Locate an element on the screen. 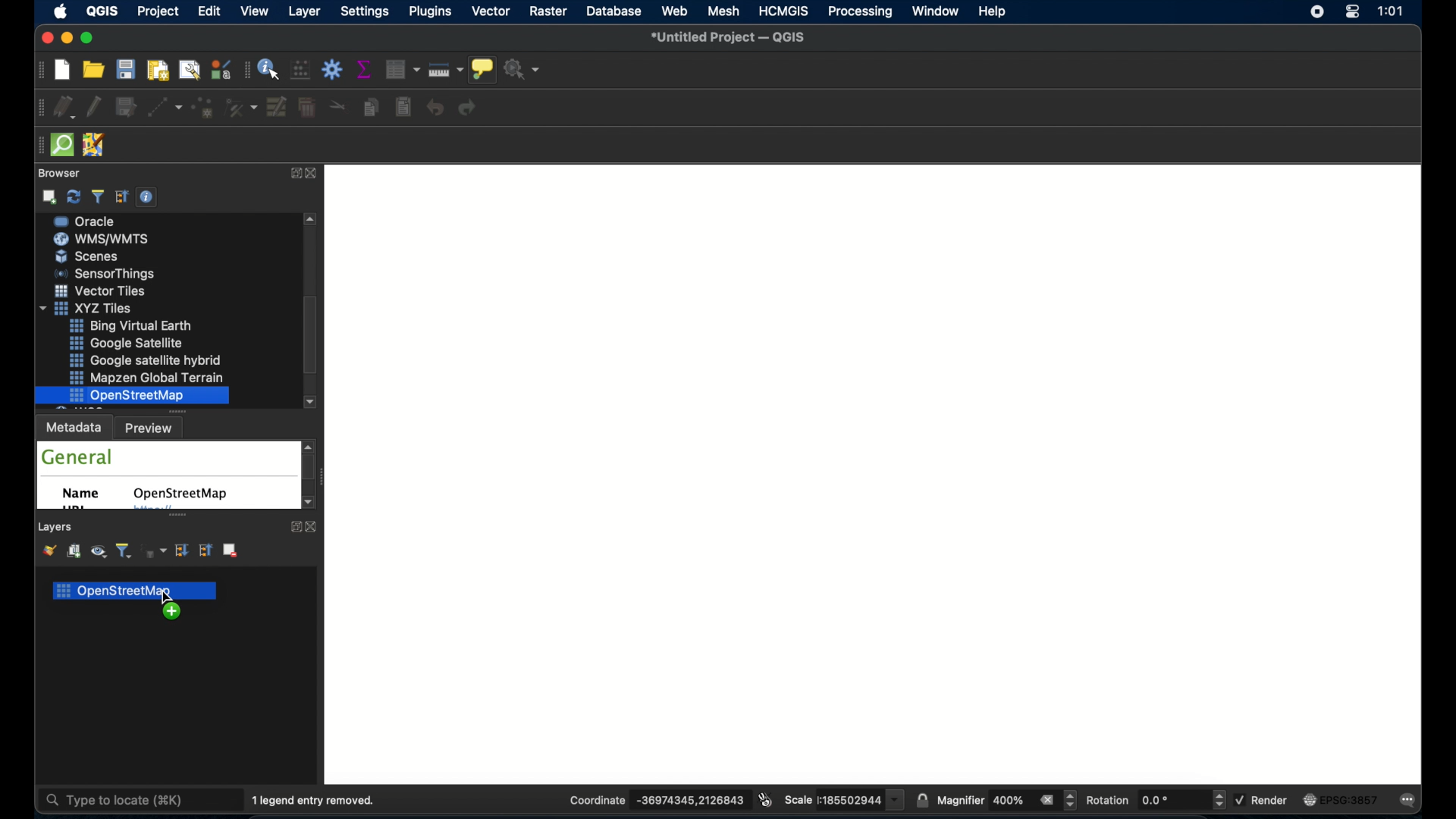 This screenshot has height=819, width=1456. plugins is located at coordinates (429, 12).